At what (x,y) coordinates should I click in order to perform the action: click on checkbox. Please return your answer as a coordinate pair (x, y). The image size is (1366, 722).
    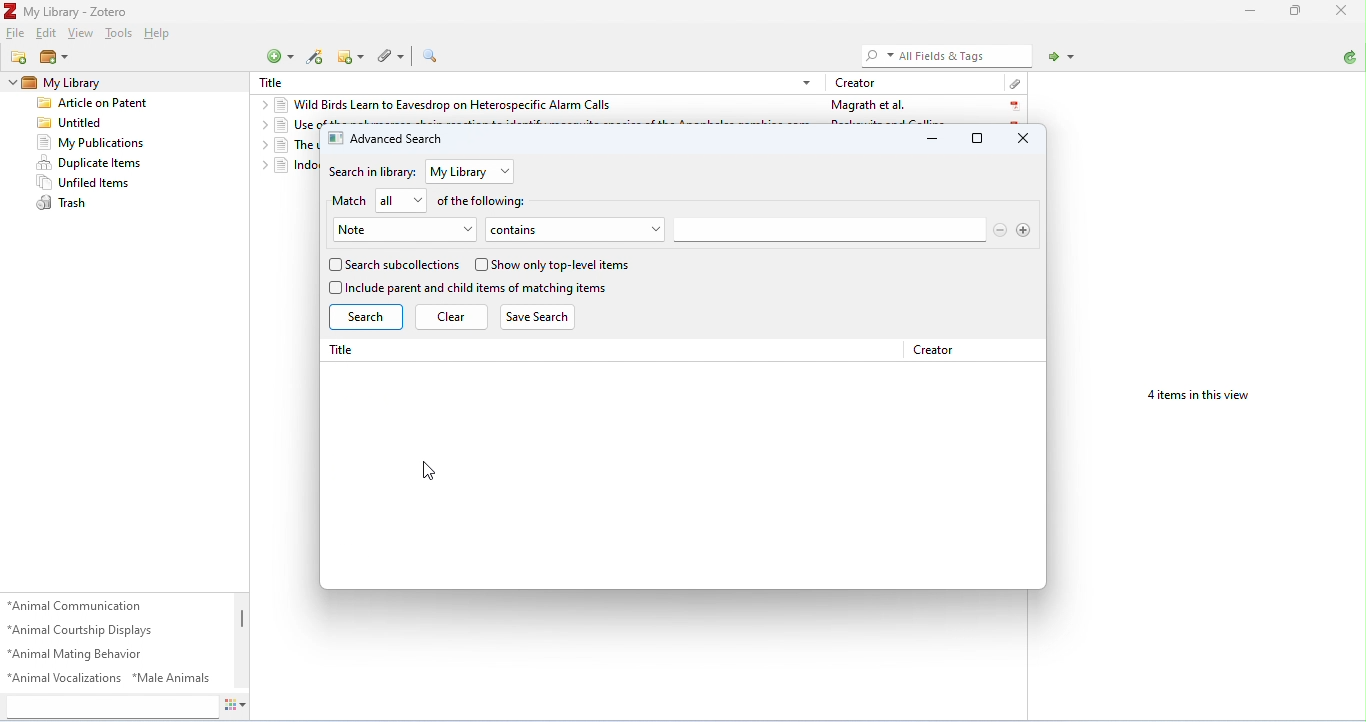
    Looking at the image, I should click on (335, 265).